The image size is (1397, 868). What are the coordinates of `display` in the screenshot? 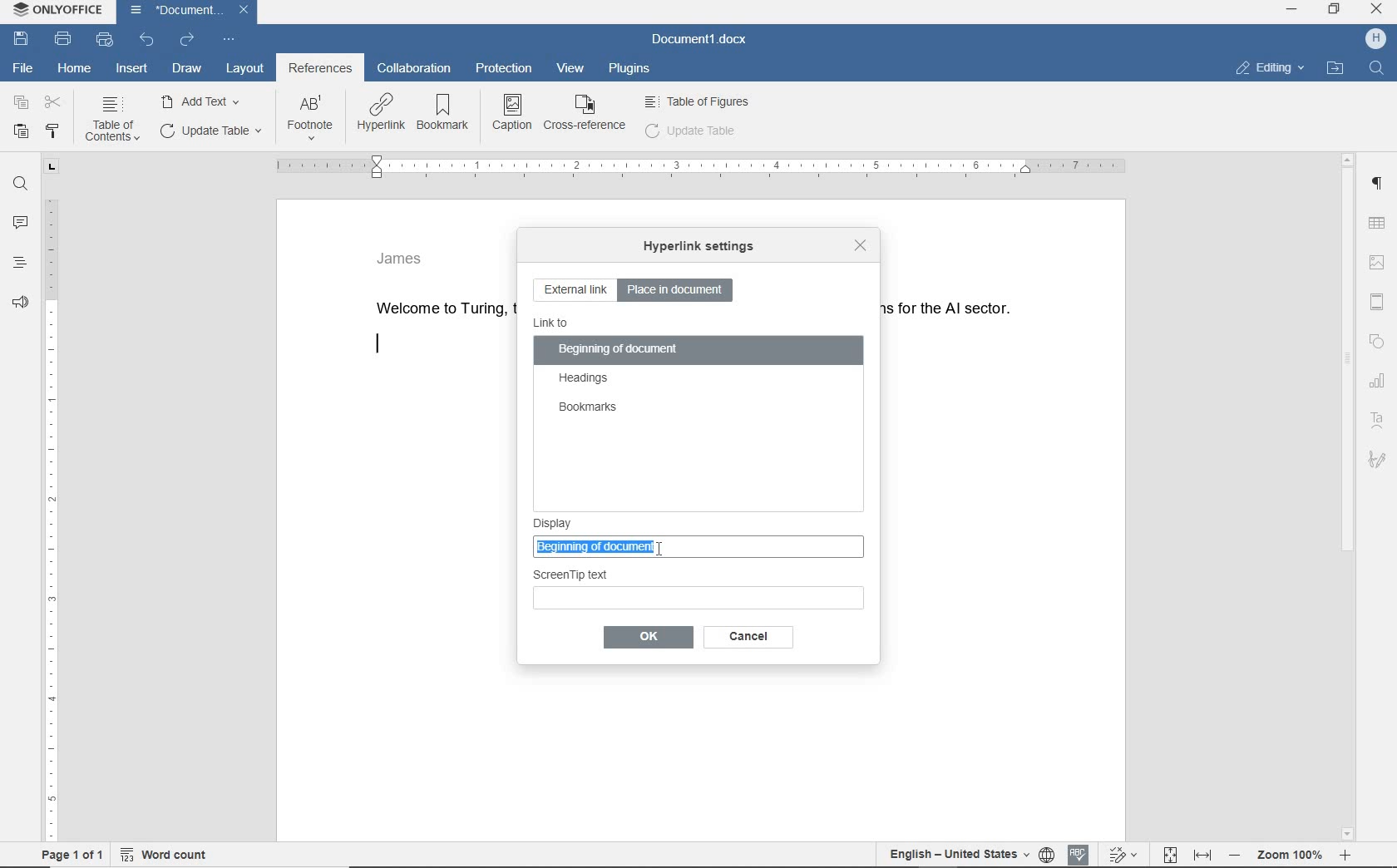 It's located at (701, 518).